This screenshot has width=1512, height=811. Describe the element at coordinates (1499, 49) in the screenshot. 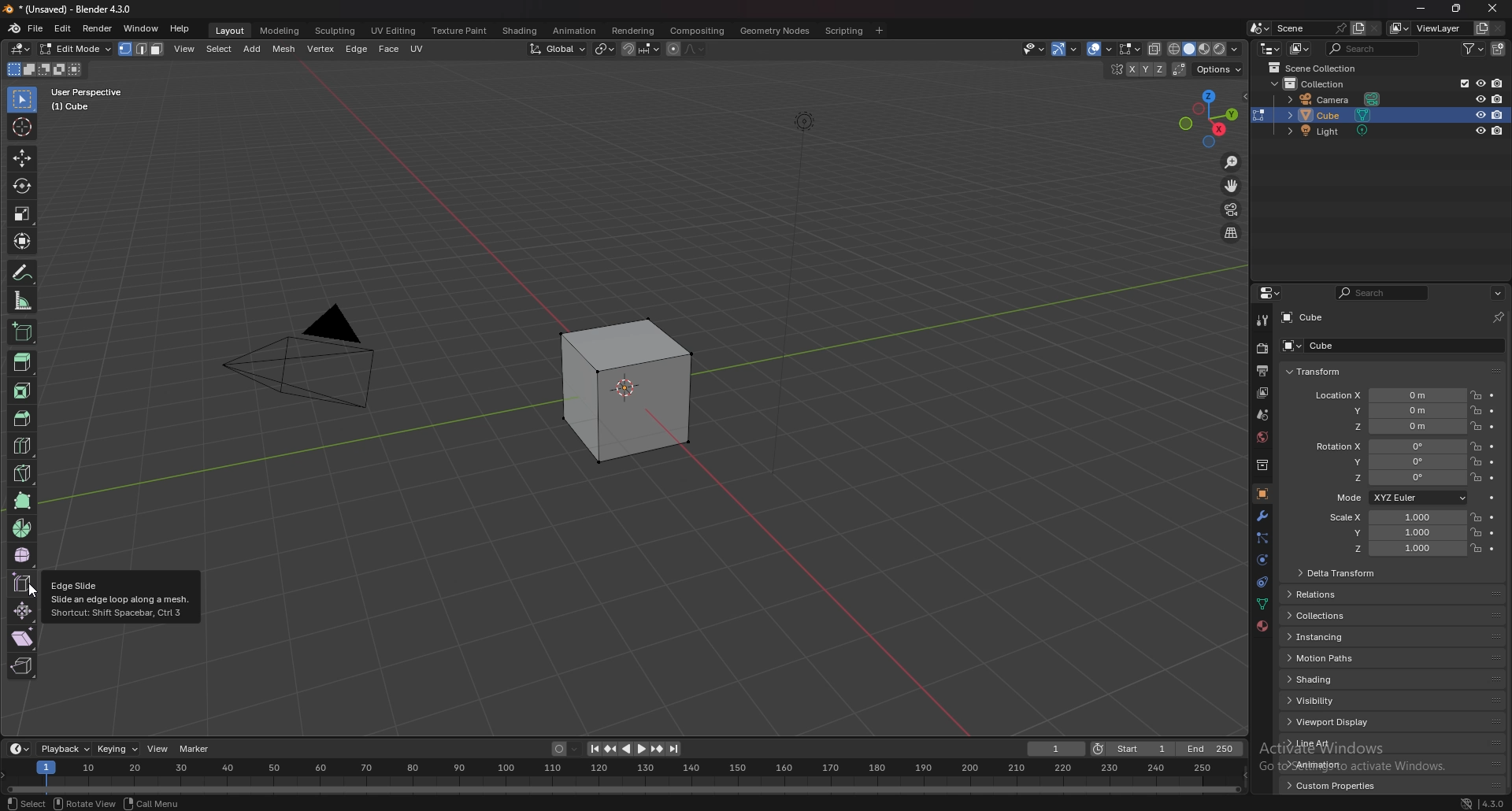

I see `new collection` at that location.